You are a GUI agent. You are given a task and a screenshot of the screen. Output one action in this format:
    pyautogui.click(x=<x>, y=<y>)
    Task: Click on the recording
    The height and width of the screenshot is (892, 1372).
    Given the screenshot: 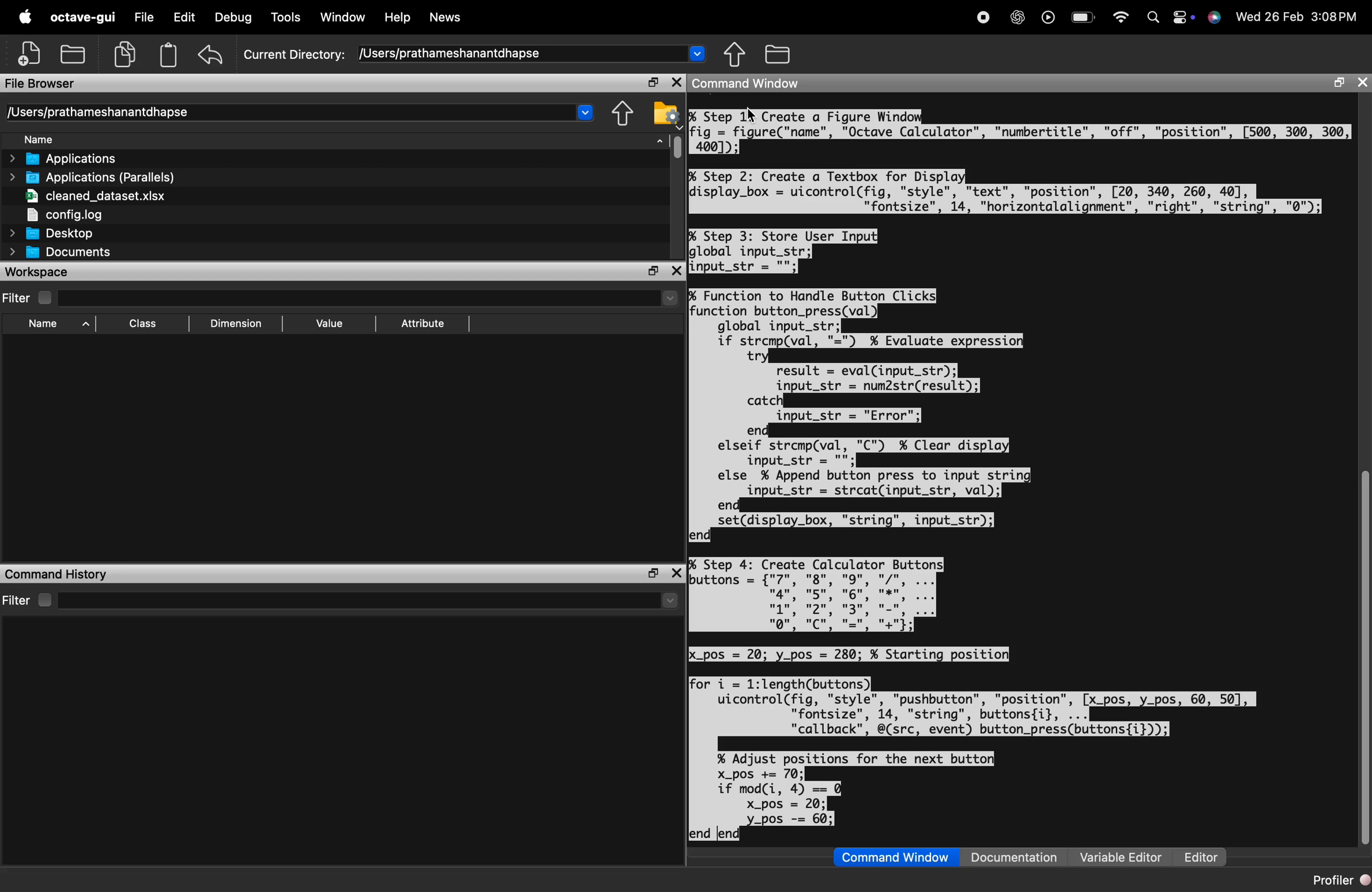 What is the action you would take?
    pyautogui.click(x=985, y=20)
    